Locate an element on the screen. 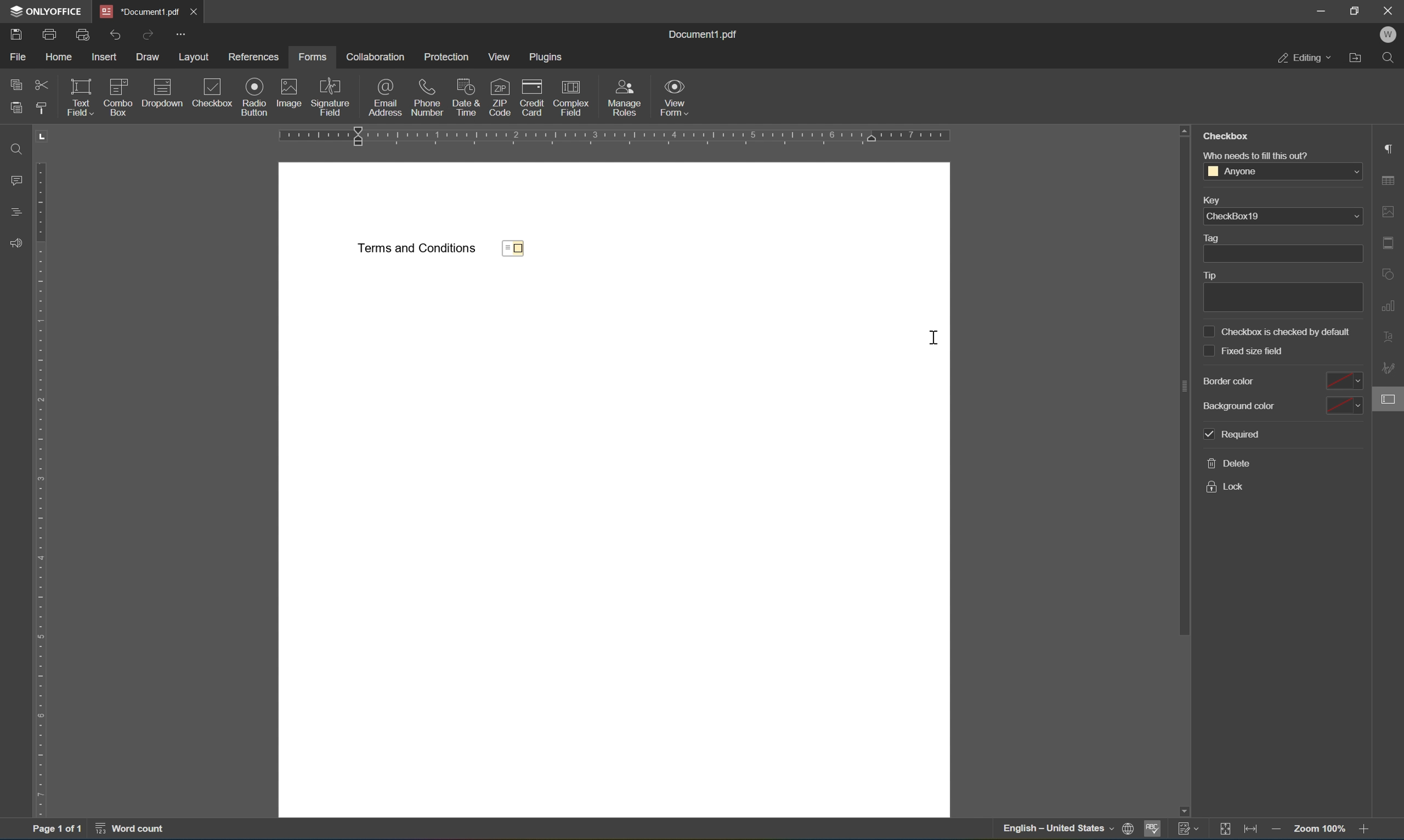  close is located at coordinates (195, 11).